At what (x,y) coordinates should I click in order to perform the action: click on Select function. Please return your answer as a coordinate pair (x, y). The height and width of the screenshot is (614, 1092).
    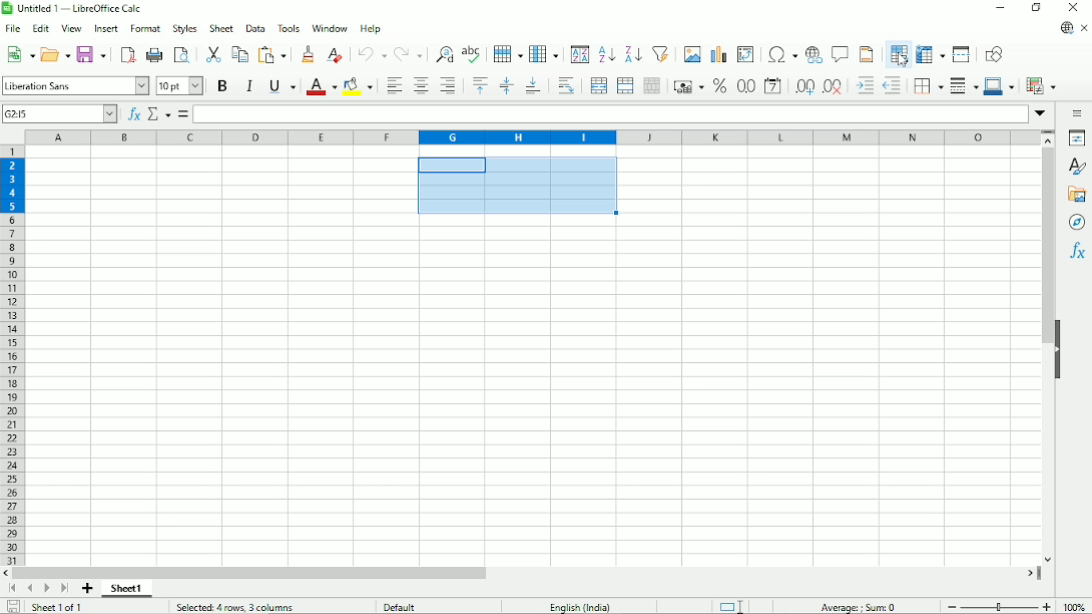
    Looking at the image, I should click on (159, 114).